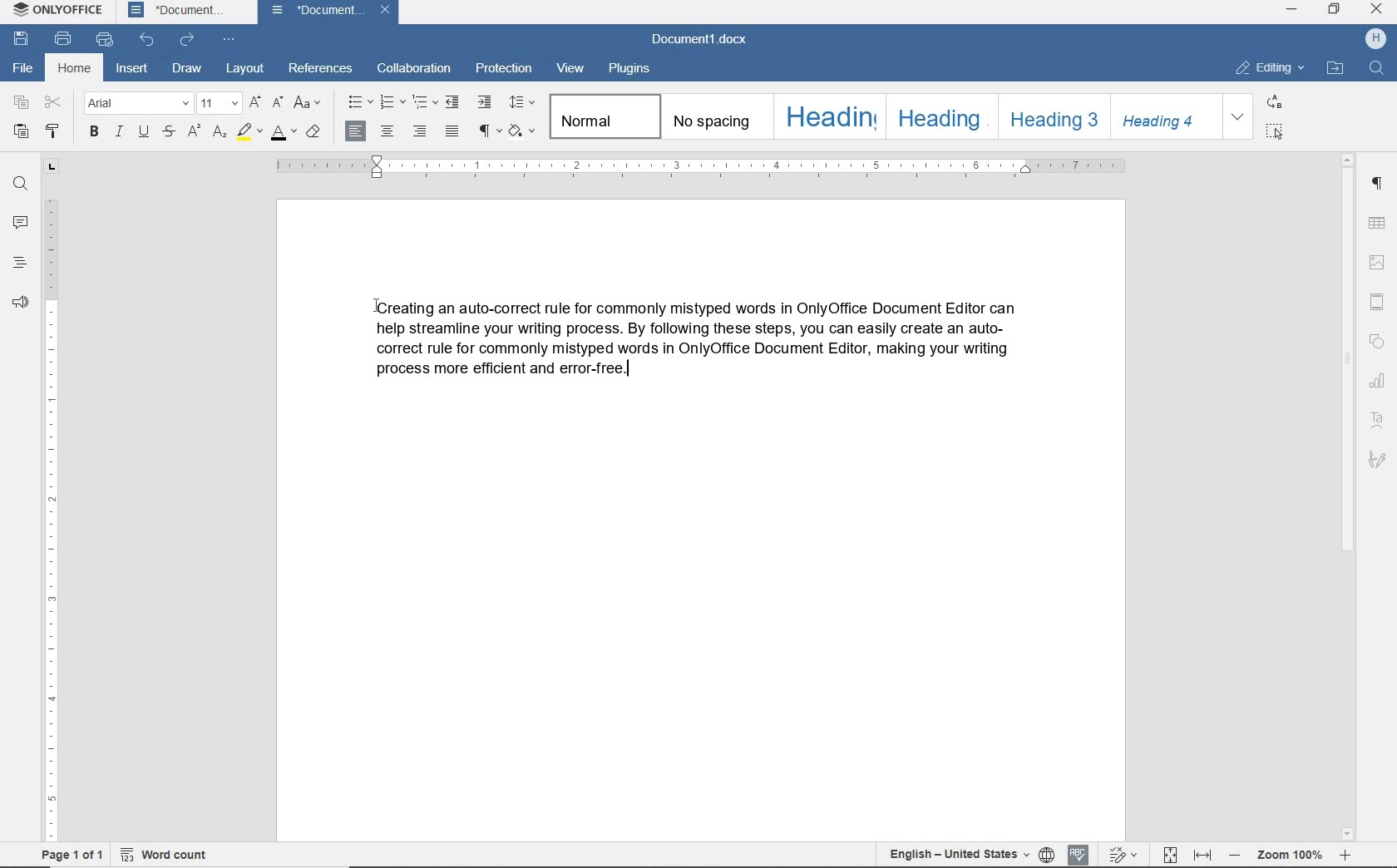  I want to click on replace, so click(1274, 103).